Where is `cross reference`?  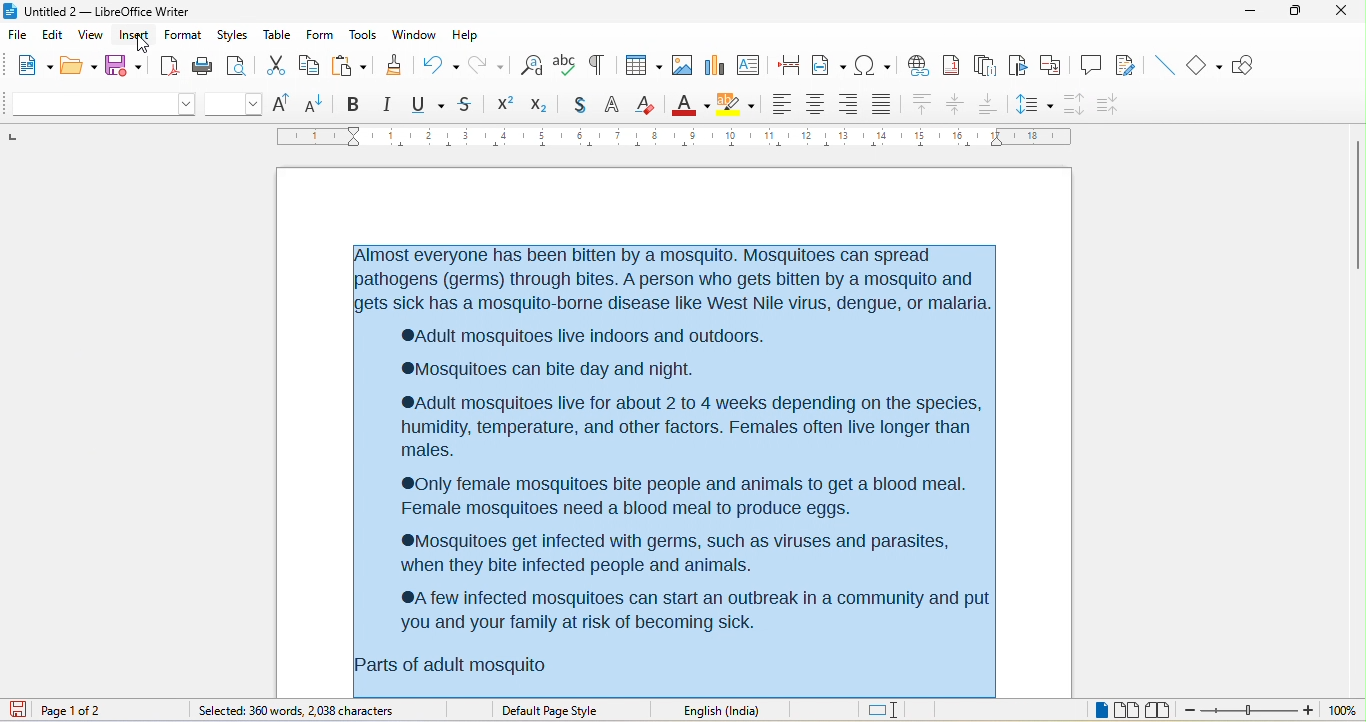
cross reference is located at coordinates (1051, 65).